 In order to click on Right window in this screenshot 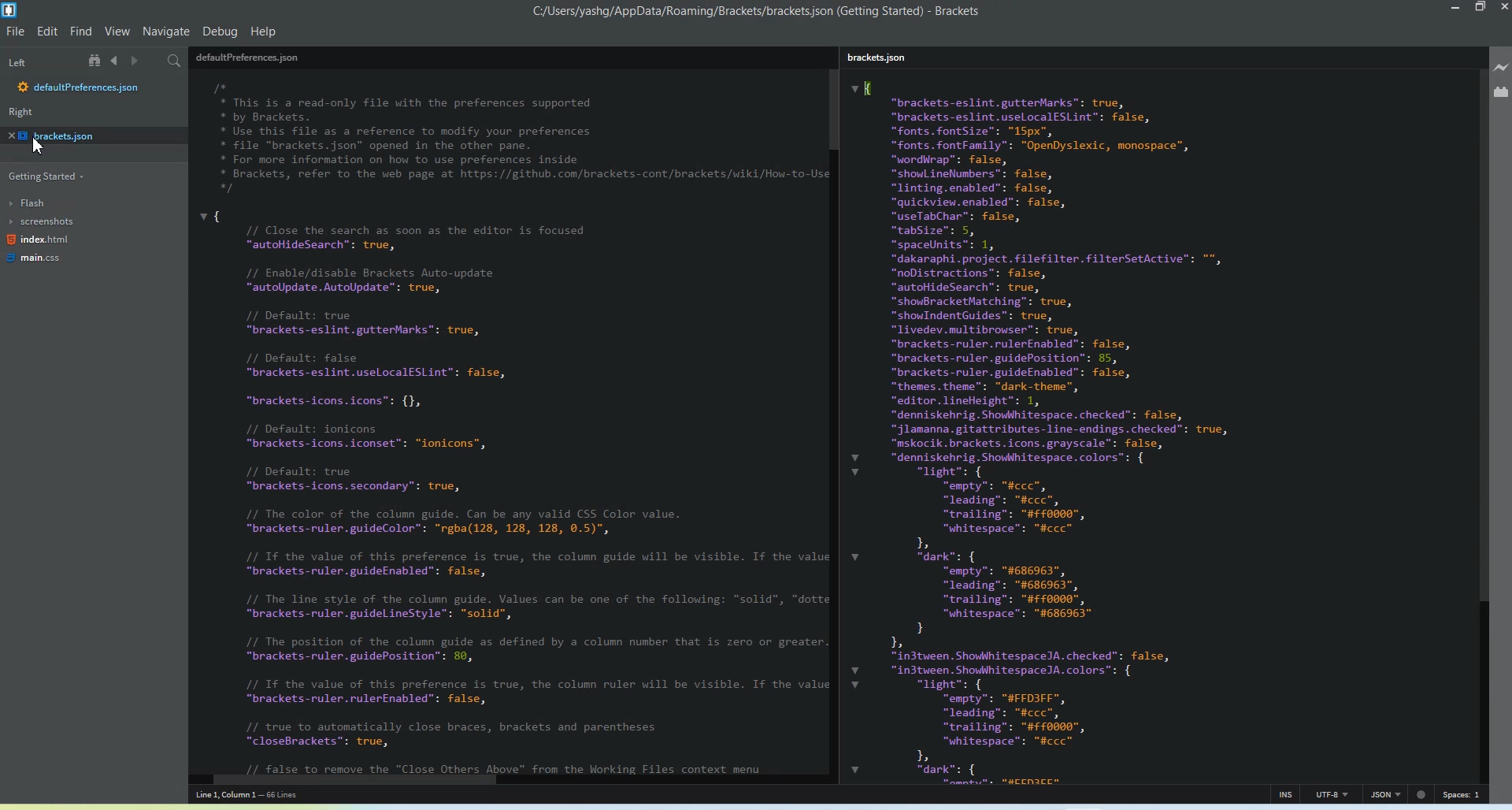, I will do `click(24, 113)`.